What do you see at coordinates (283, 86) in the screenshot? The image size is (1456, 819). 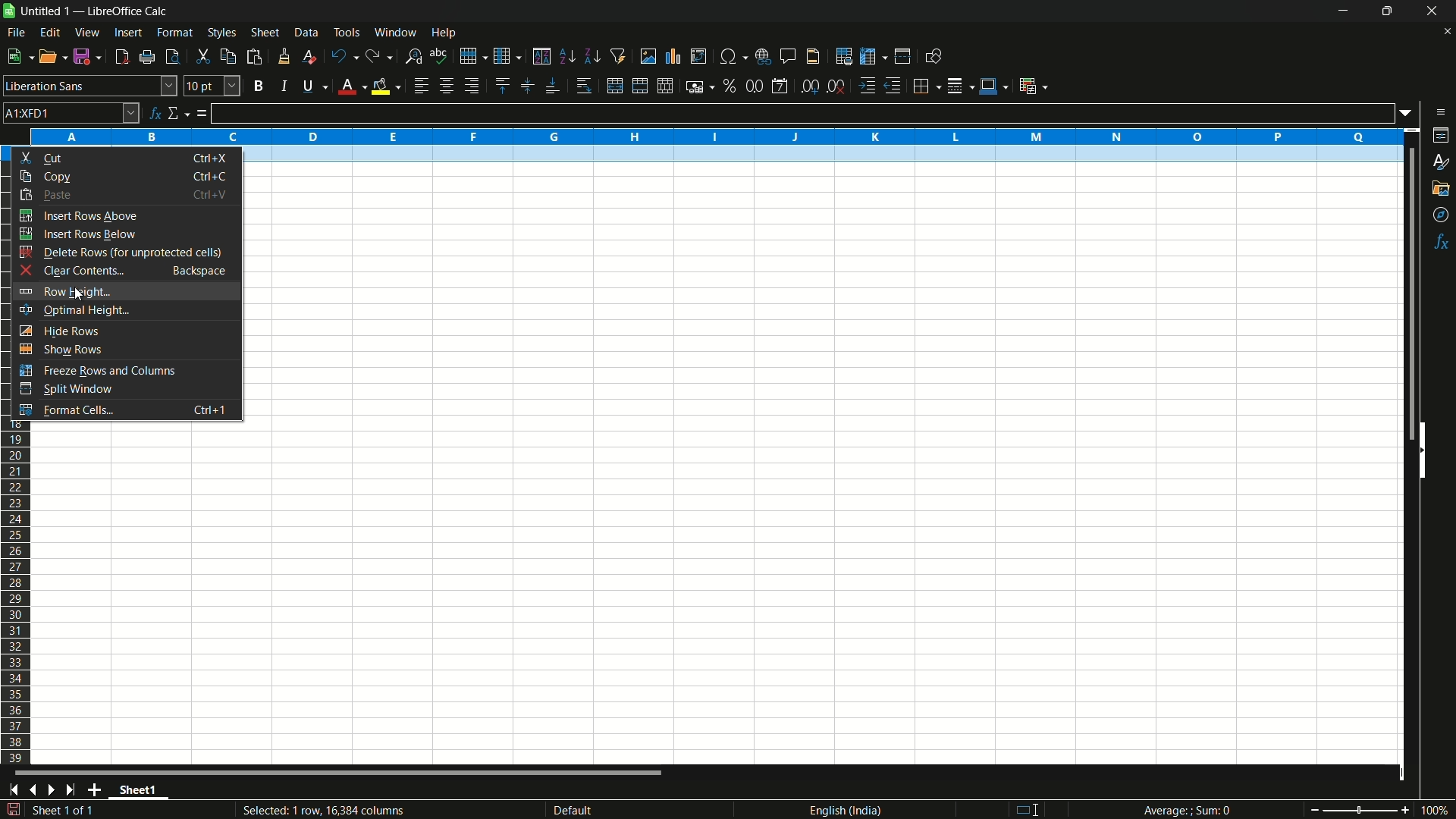 I see `italic` at bounding box center [283, 86].